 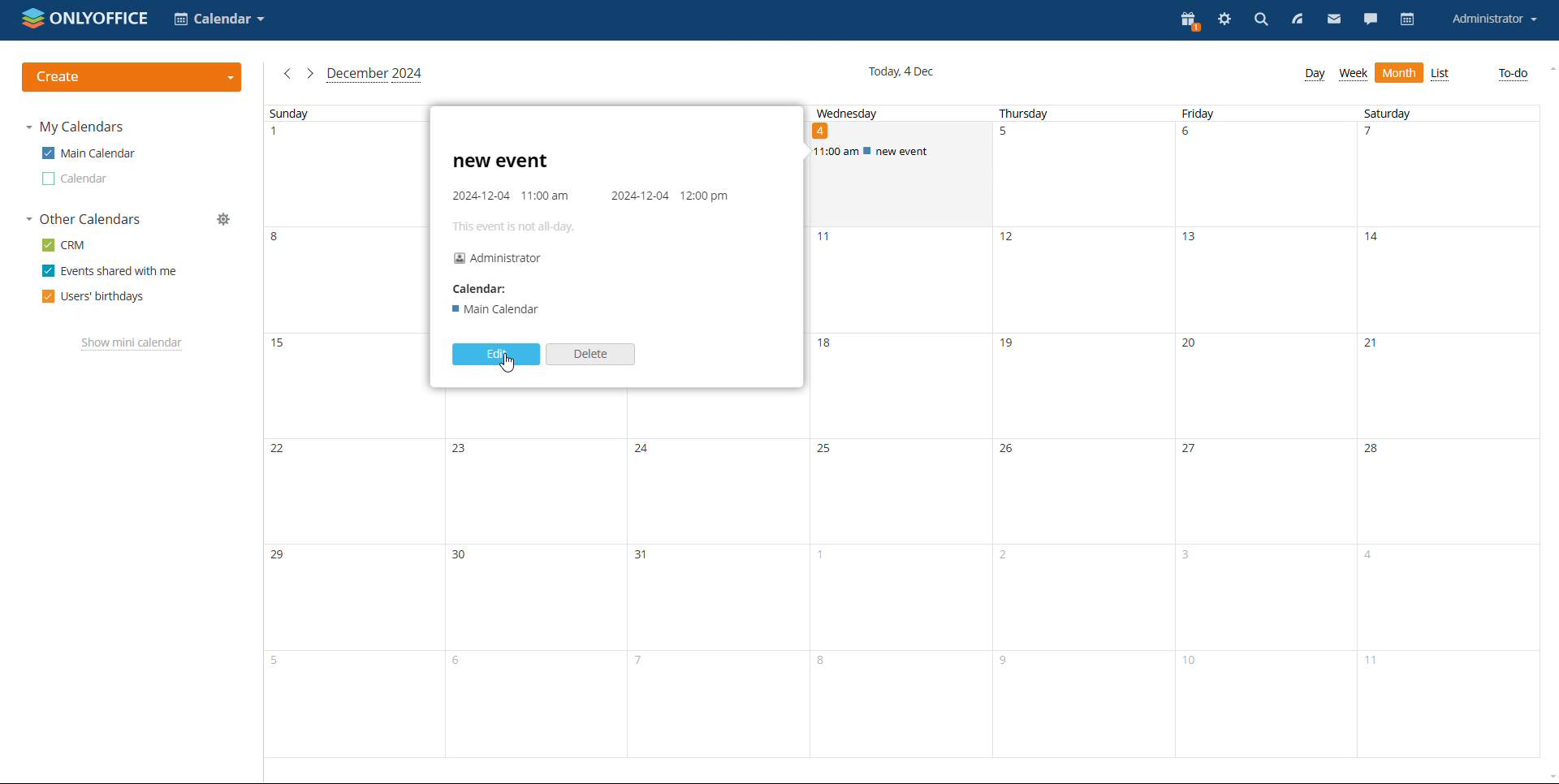 What do you see at coordinates (310, 74) in the screenshot?
I see `next month` at bounding box center [310, 74].